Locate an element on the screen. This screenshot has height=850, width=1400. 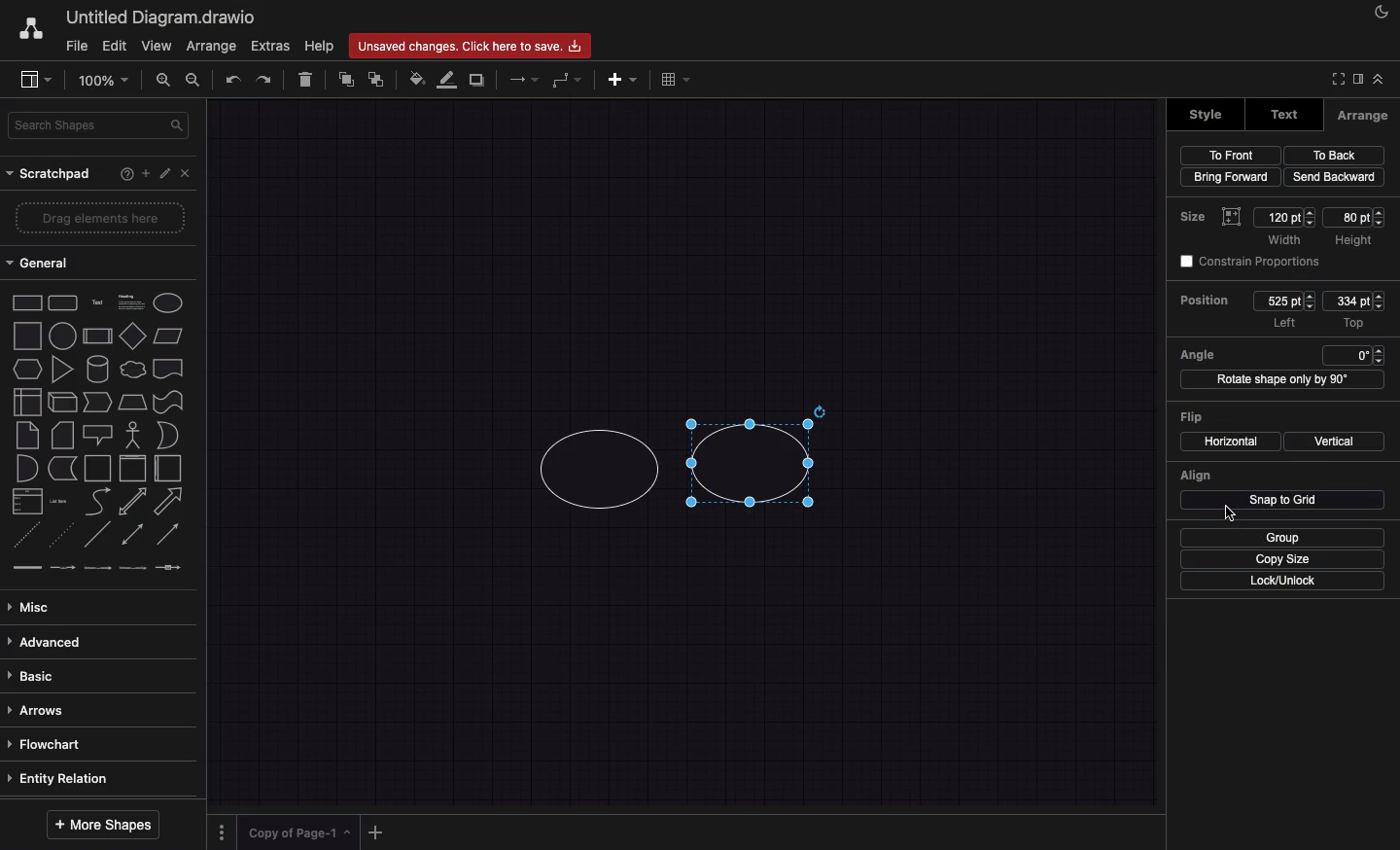
actor is located at coordinates (132, 435).